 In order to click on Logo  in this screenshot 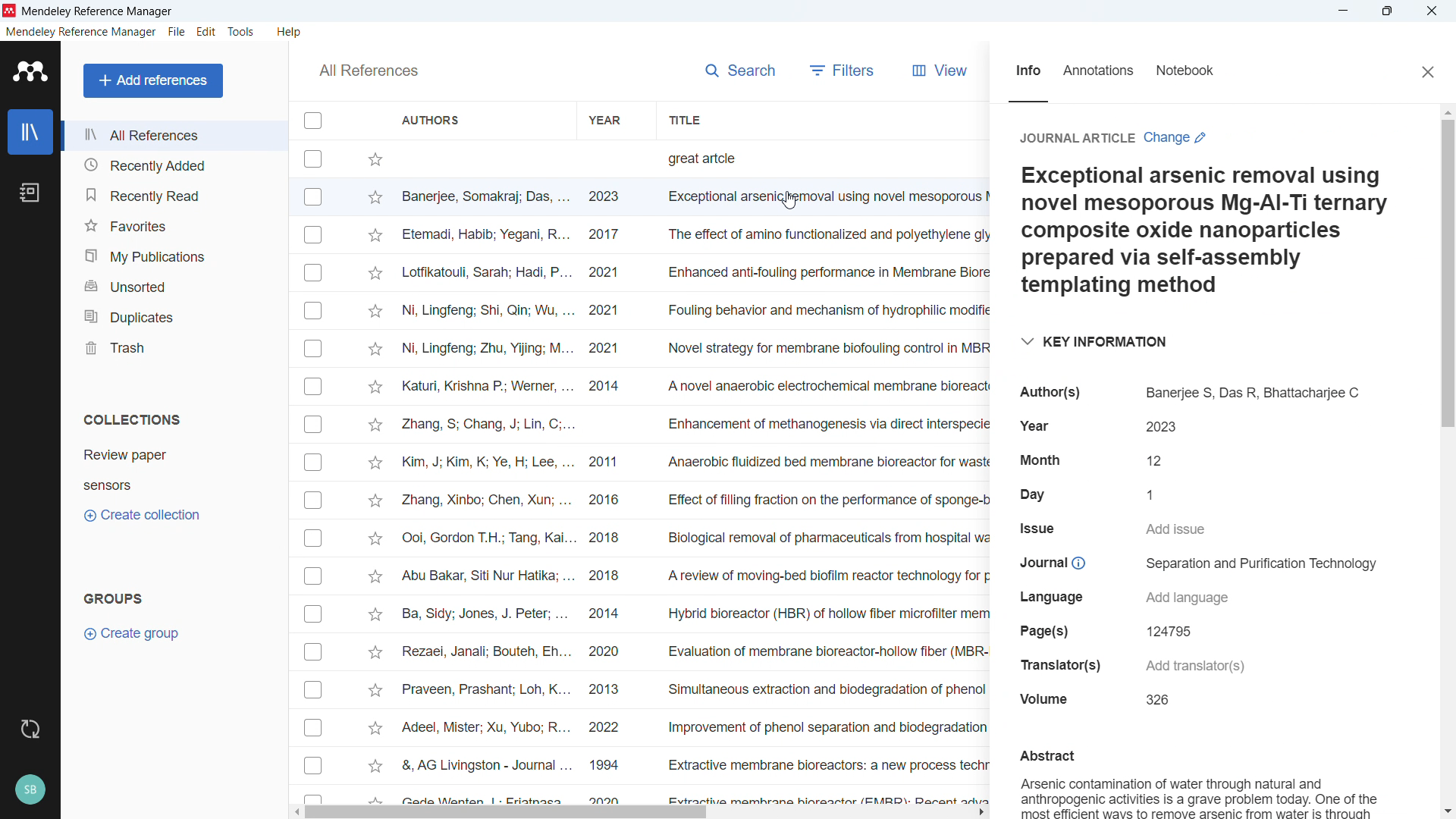, I will do `click(10, 11)`.